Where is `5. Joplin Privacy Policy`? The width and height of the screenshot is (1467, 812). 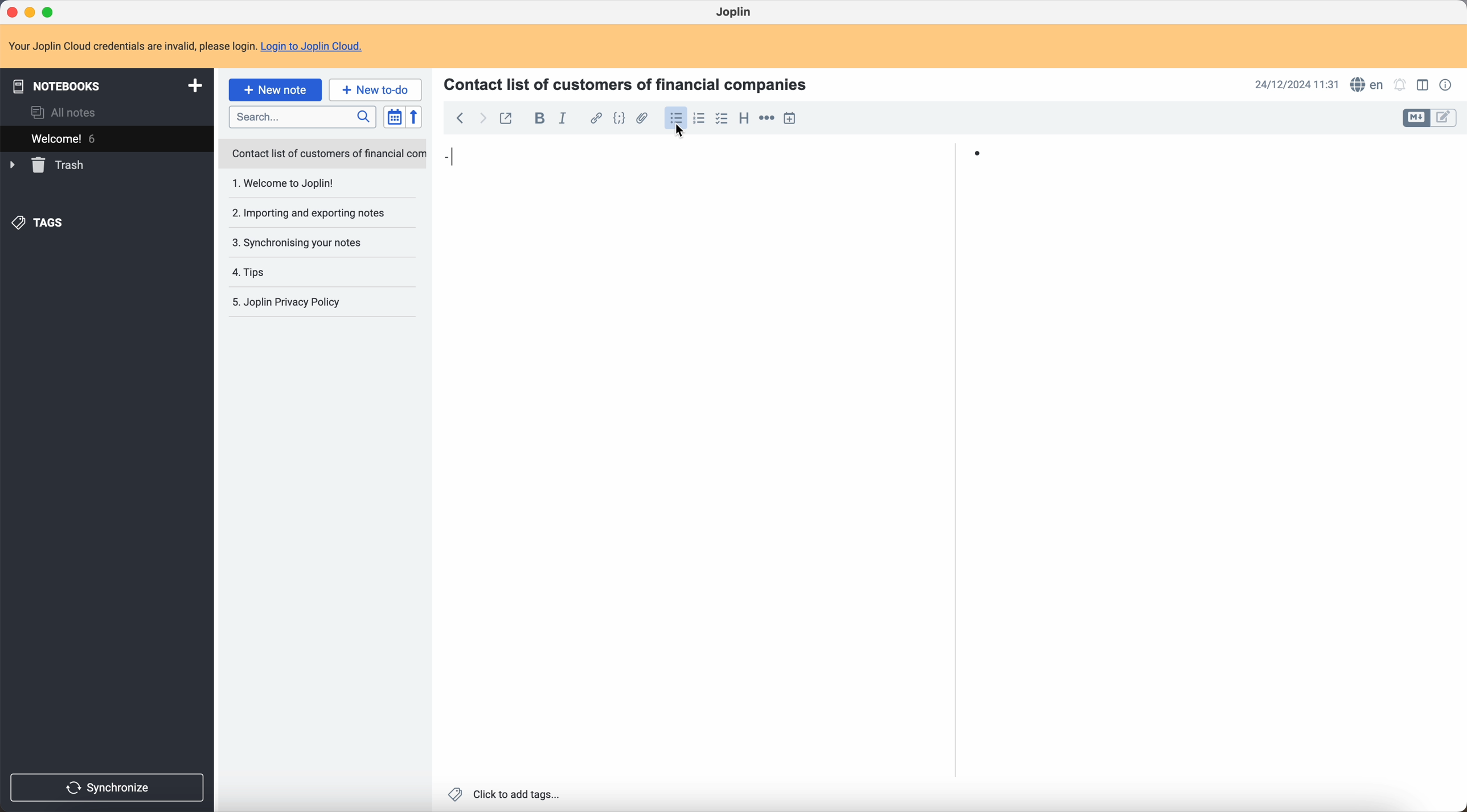 5. Joplin Privacy Policy is located at coordinates (294, 303).